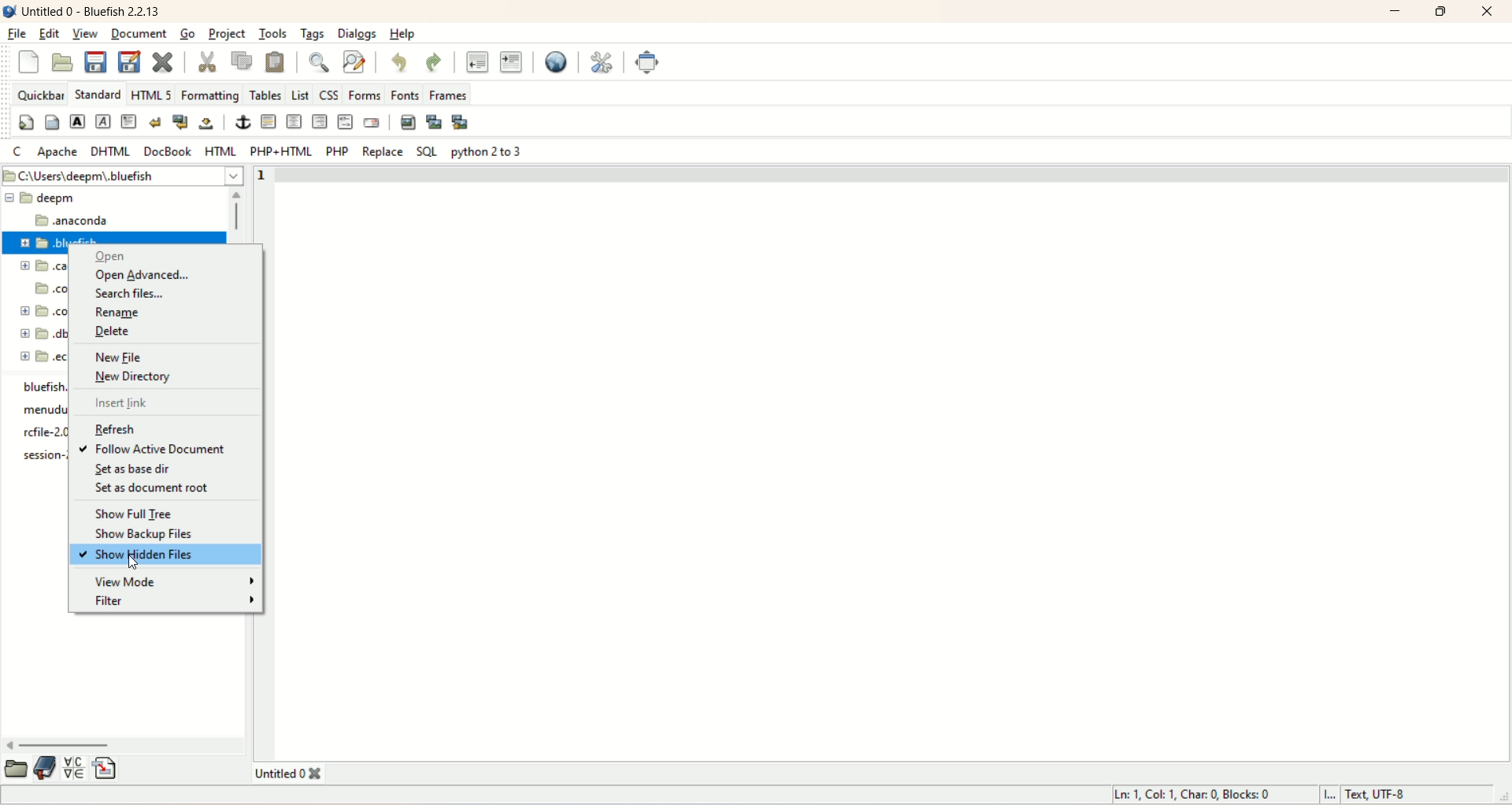  Describe the element at coordinates (123, 403) in the screenshot. I see `insert link` at that location.